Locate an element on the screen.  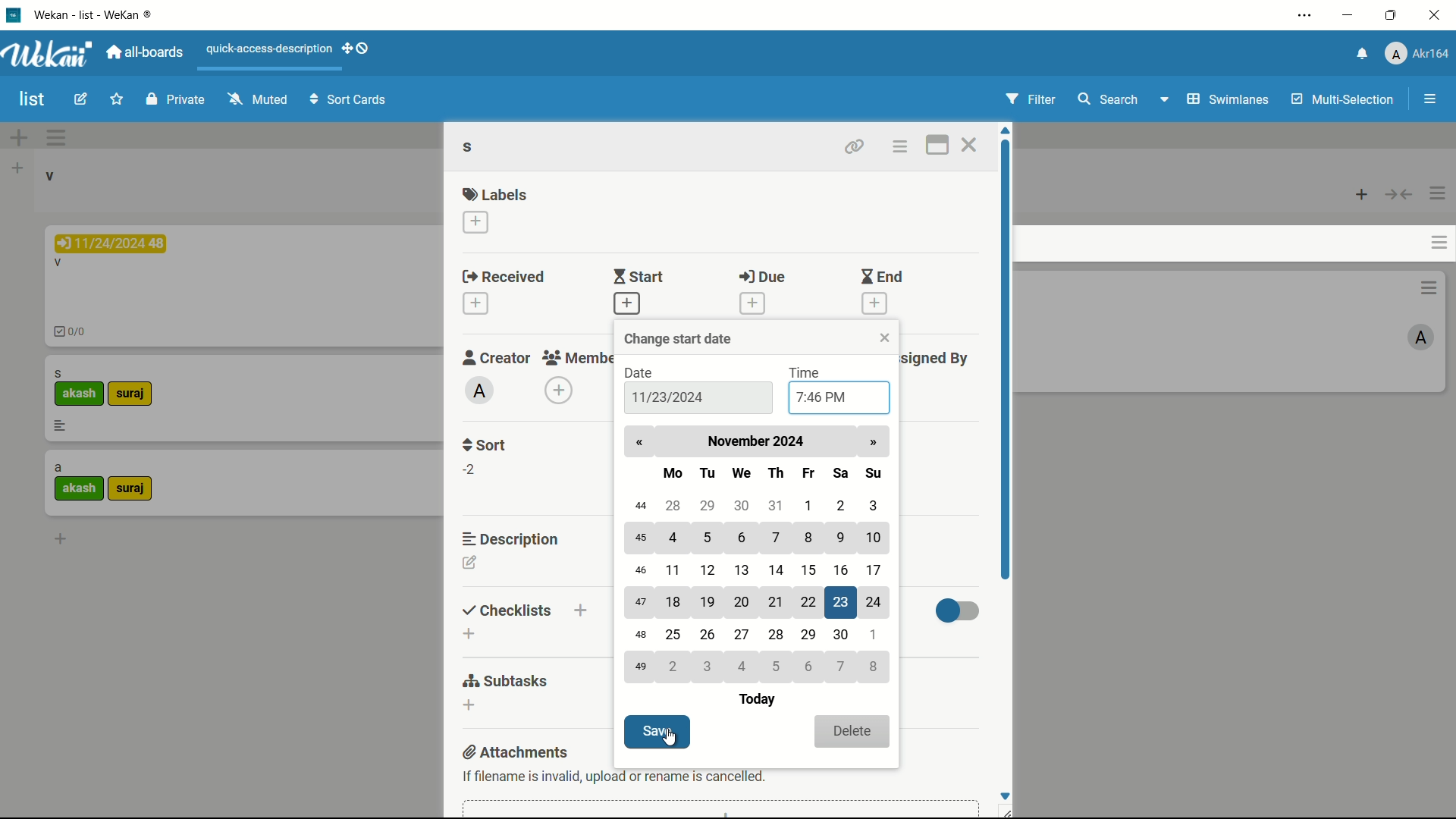
start time is located at coordinates (818, 399).